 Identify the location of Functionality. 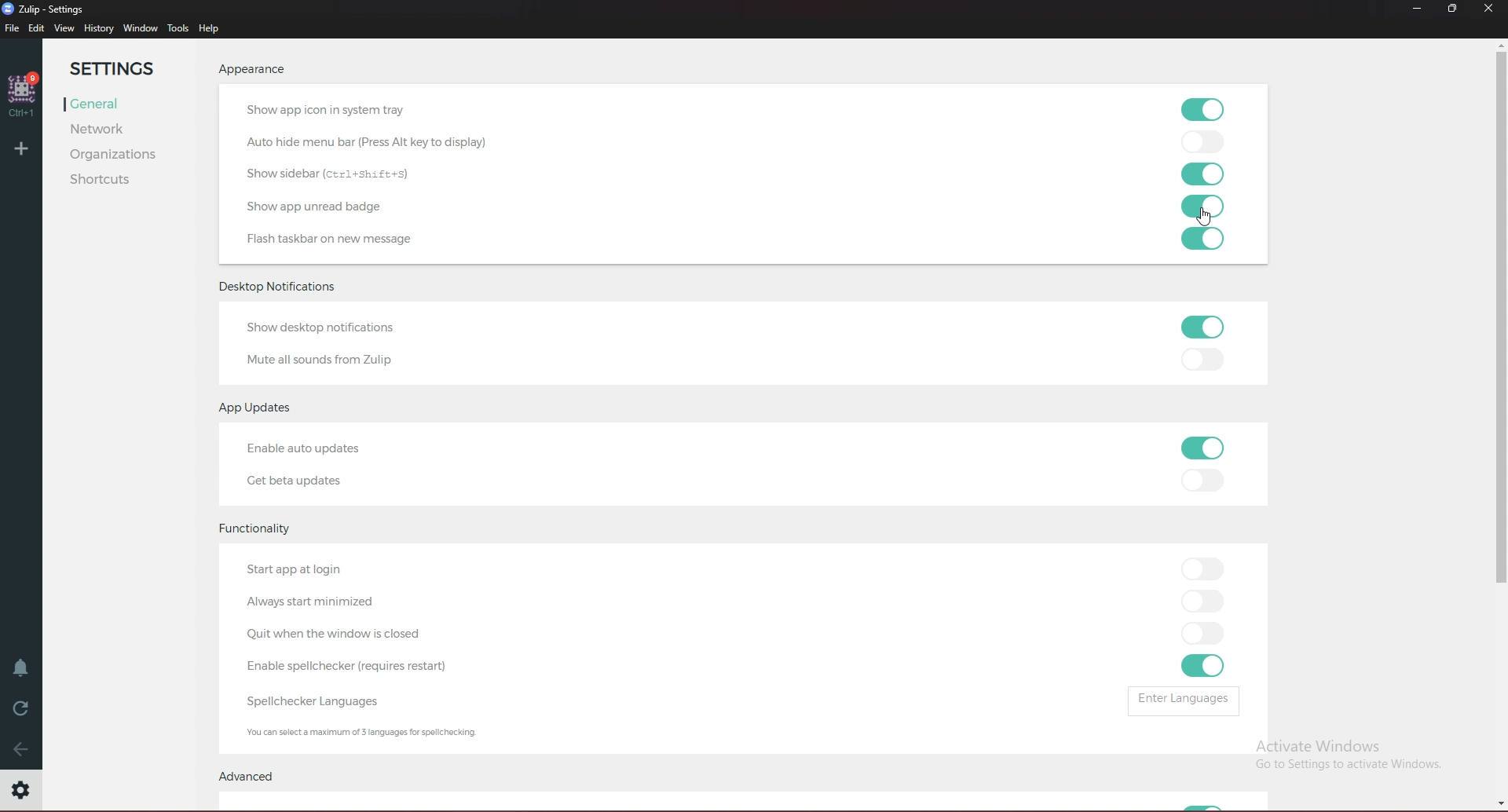
(258, 531).